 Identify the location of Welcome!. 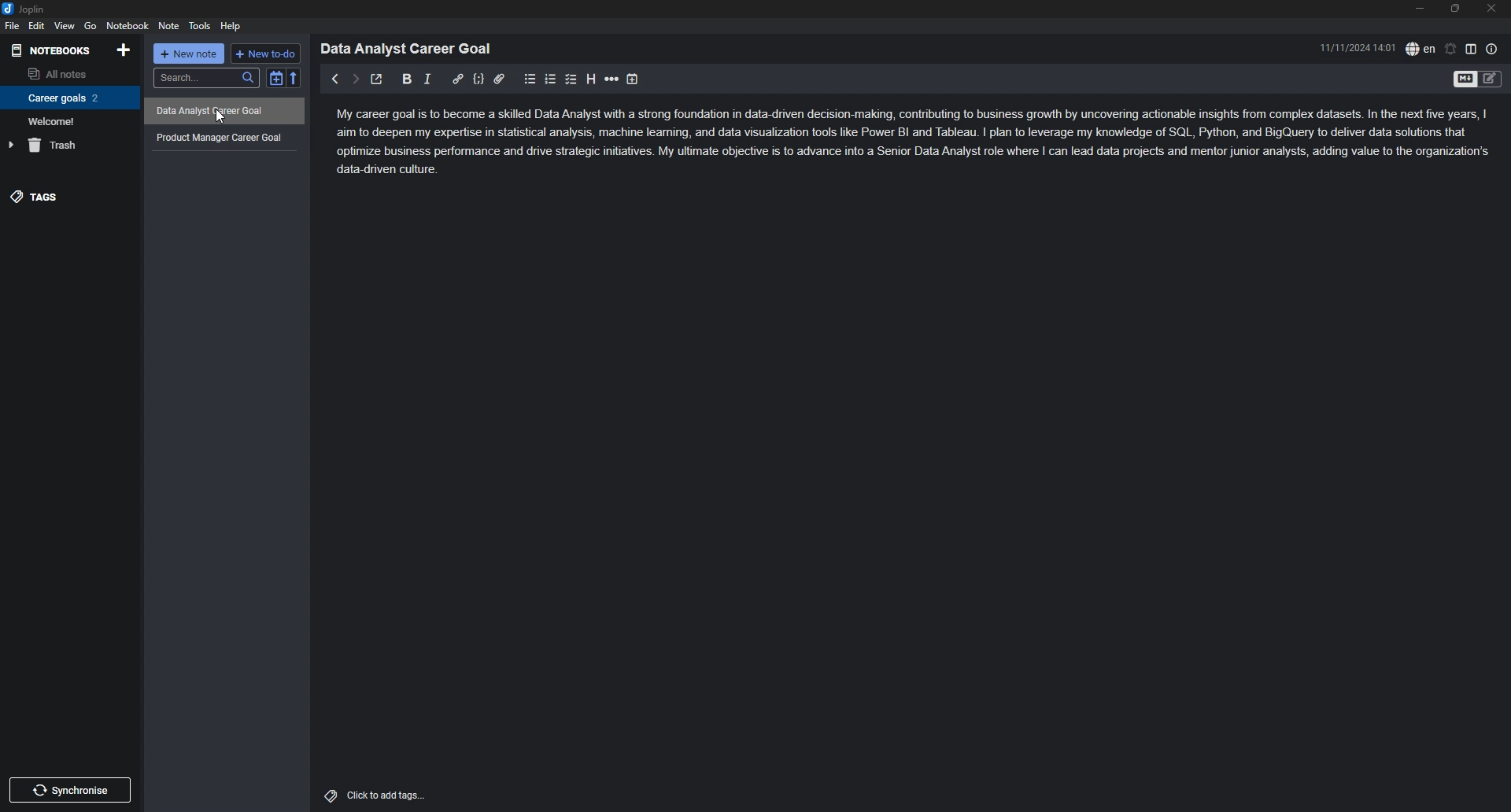
(66, 120).